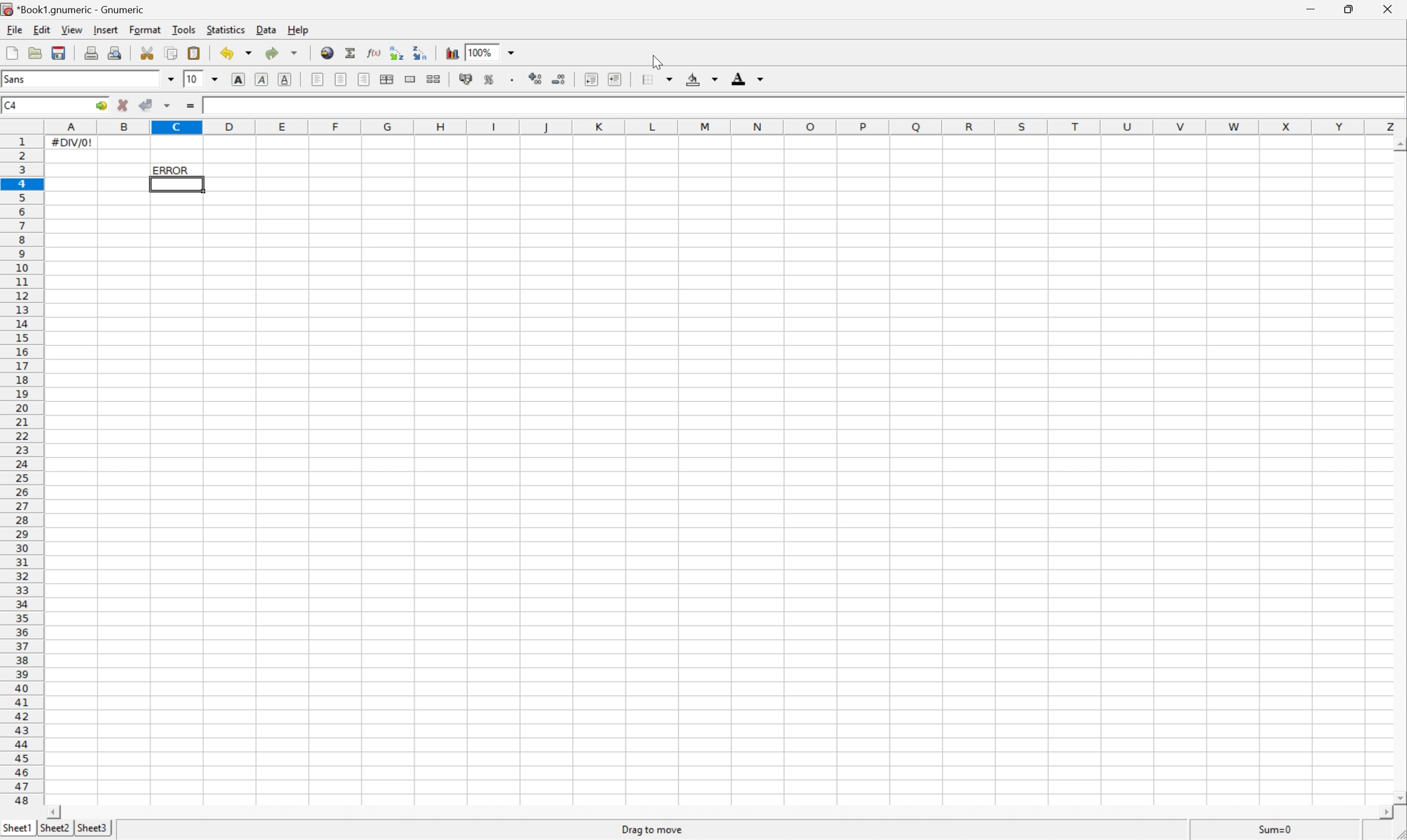  What do you see at coordinates (297, 29) in the screenshot?
I see `Help` at bounding box center [297, 29].